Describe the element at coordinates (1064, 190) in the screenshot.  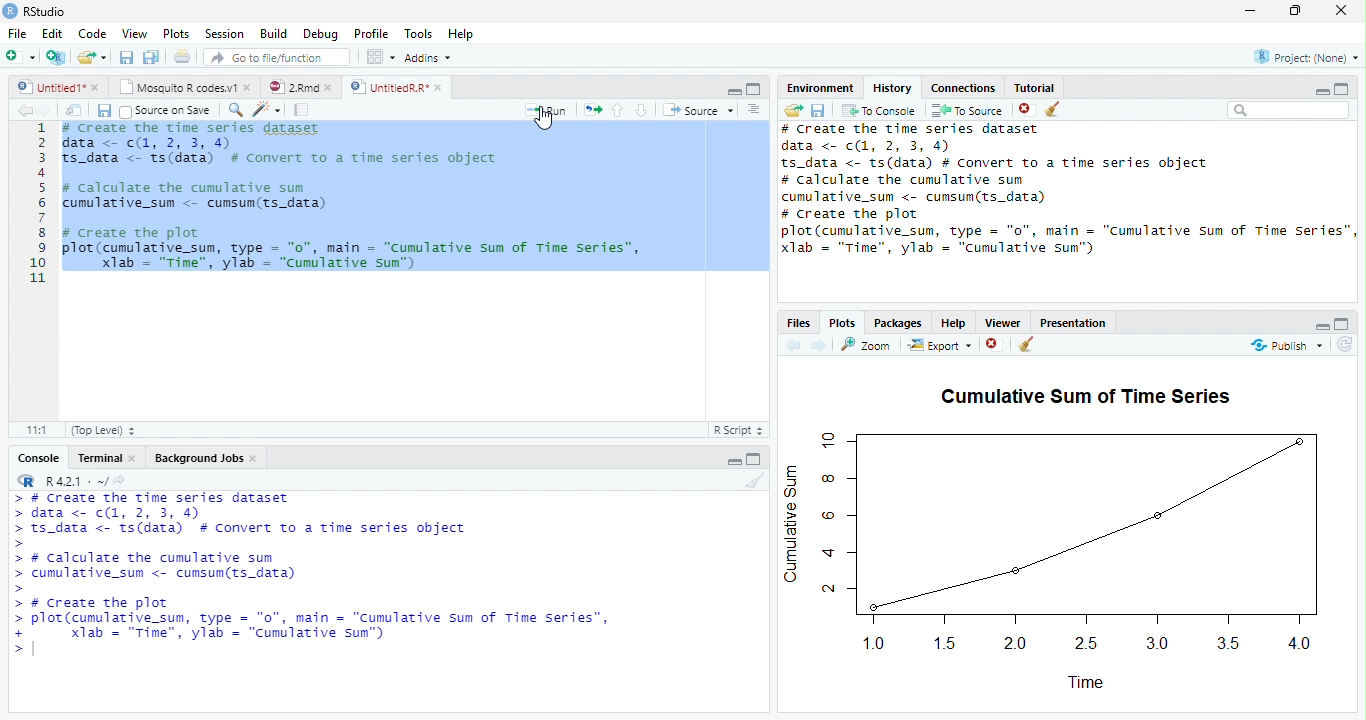
I see `# Create the time series dataset data <- c(1, 2, 3, 4)rs_data <- ts(data) # Convert to a time series object# calculate the cumulative sumcumulative_sum <- cumsum(ts_data)+ Create the plotplot (cumulative_sum, type = "0", main = "Cumulative sum of Time Series’x1ab = "Time", ylab = "Cumulative sum")` at that location.